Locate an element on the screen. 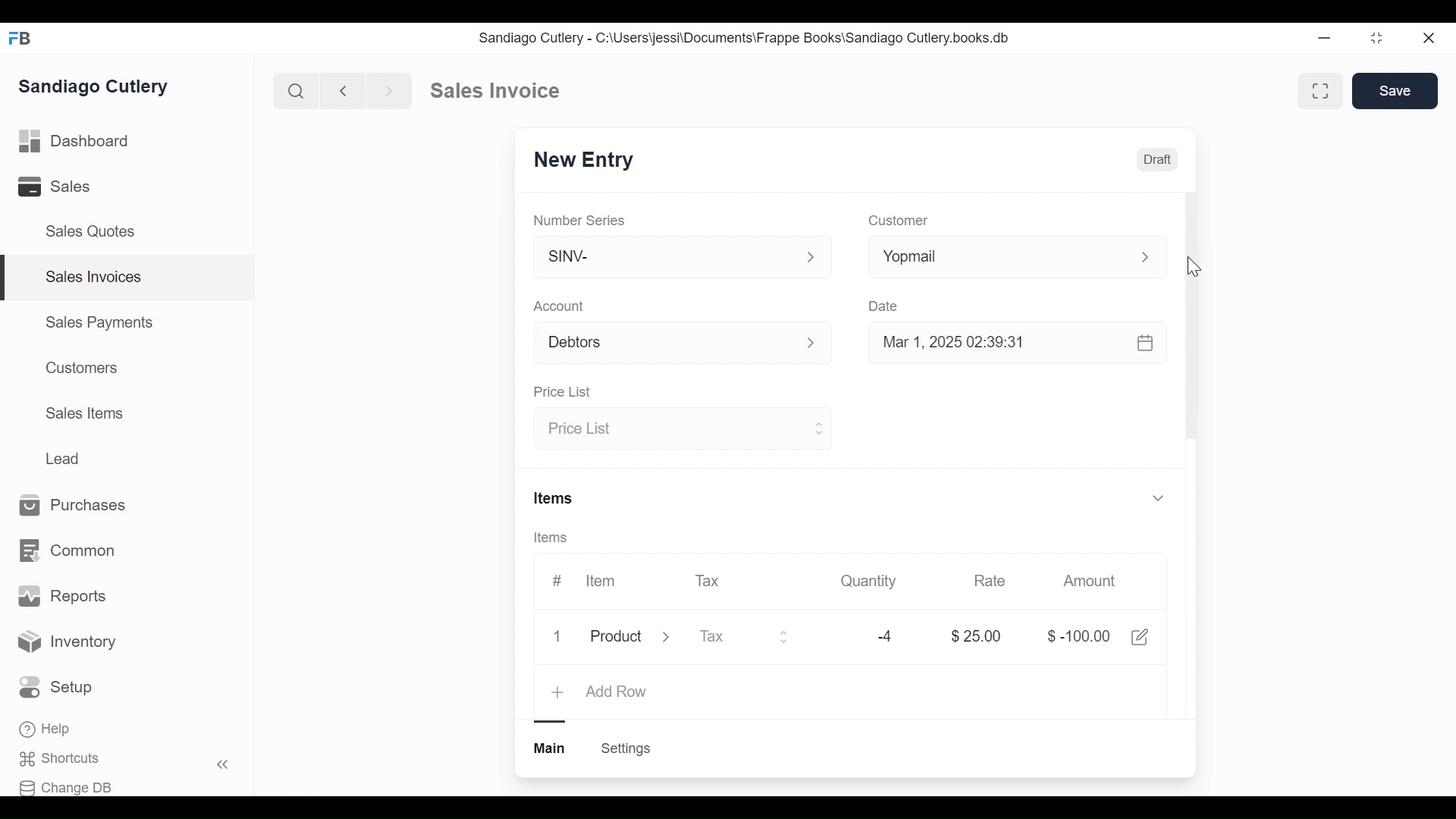 The width and height of the screenshot is (1456, 819). Item is located at coordinates (600, 580).